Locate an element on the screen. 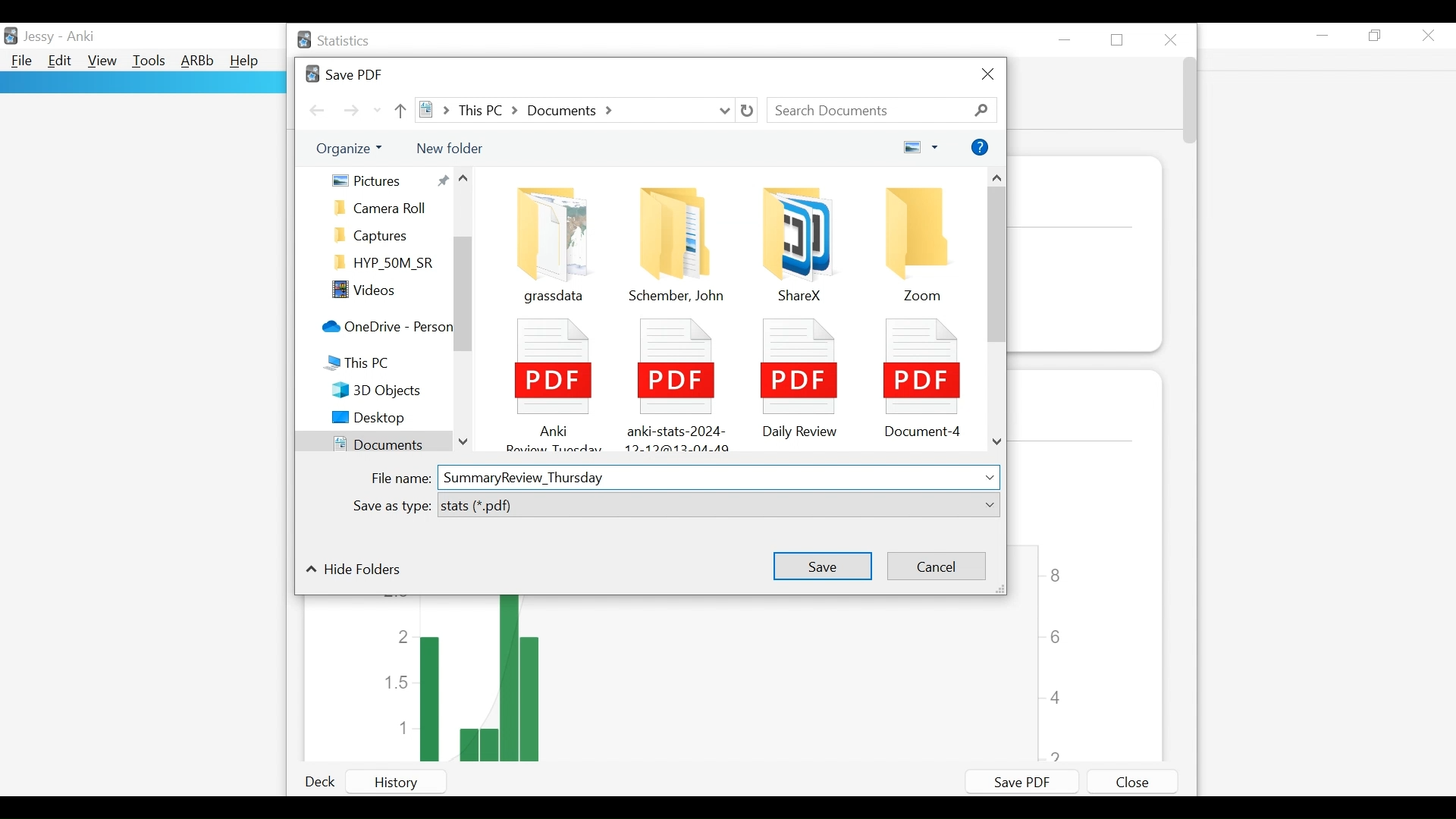  Save is located at coordinates (821, 564).